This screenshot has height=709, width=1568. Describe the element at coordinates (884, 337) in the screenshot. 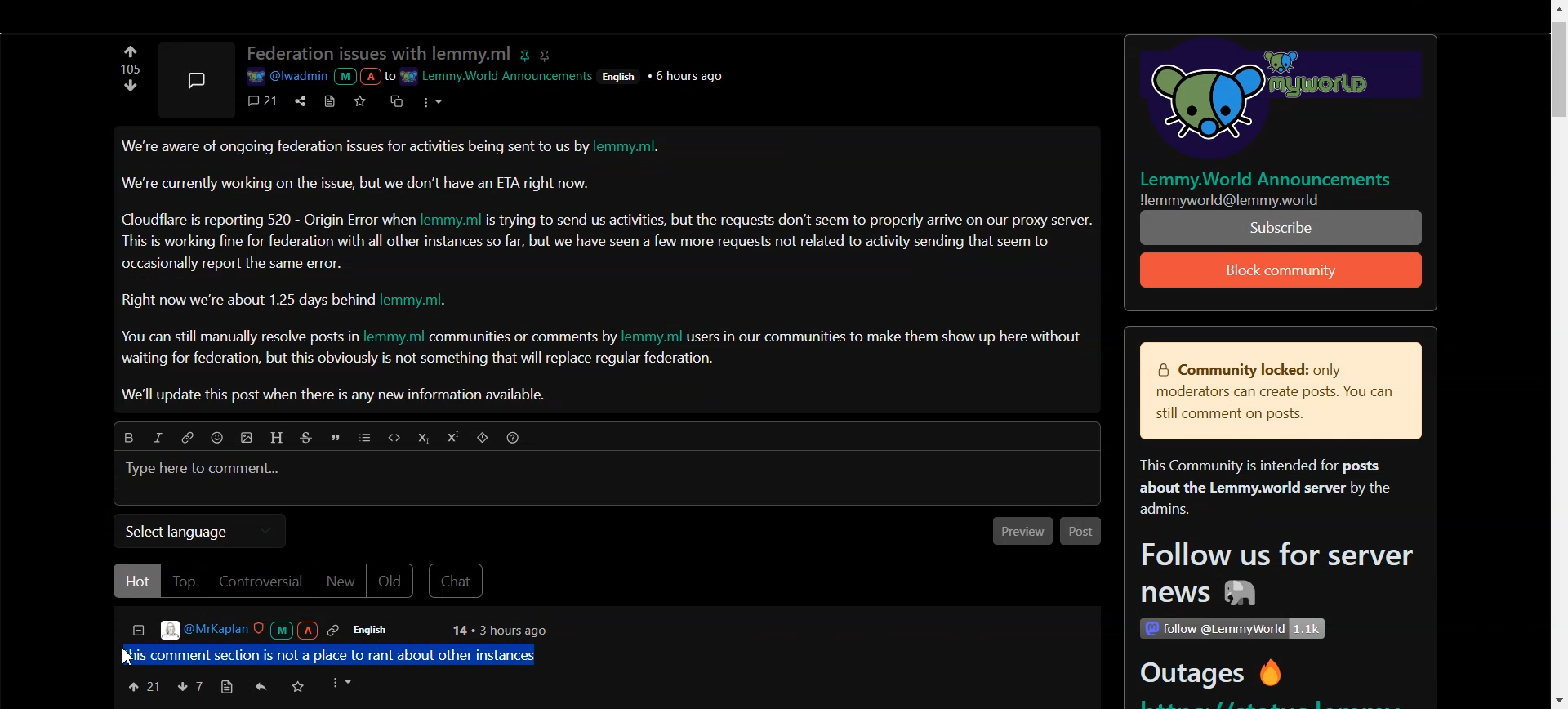

I see `| users in our communities to make them show up here withou` at that location.